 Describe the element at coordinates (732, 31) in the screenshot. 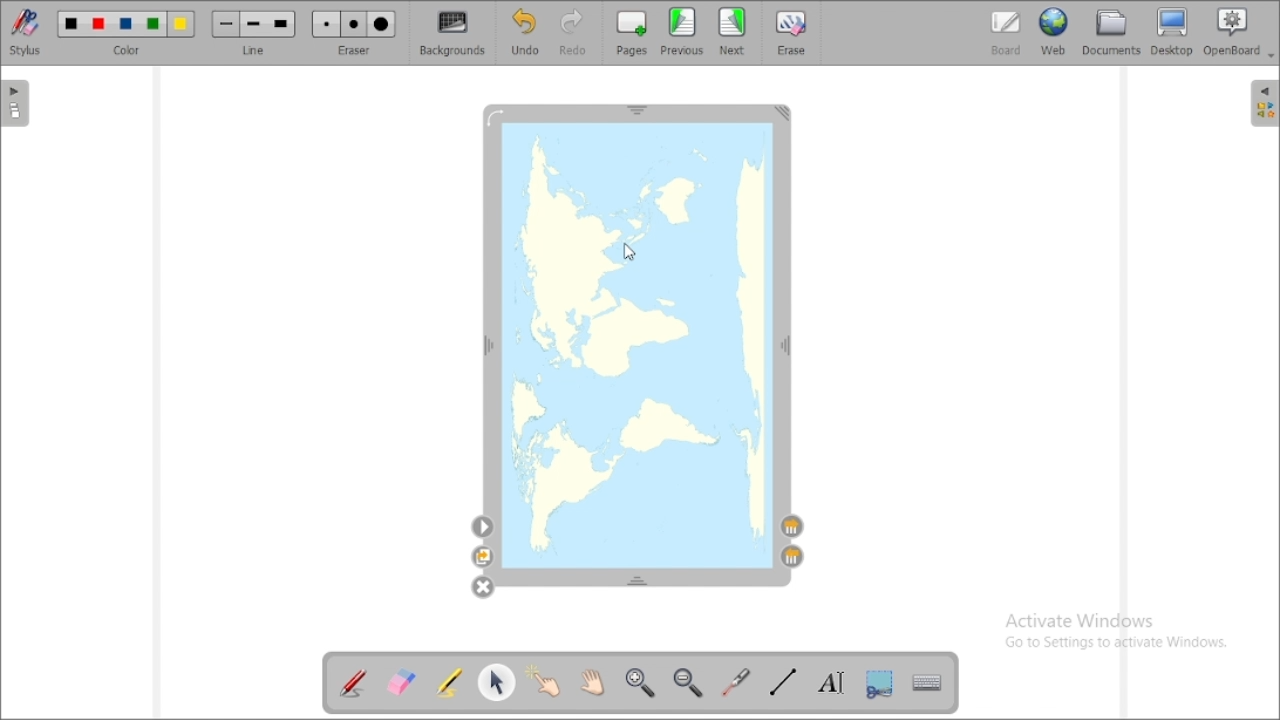

I see `next` at that location.